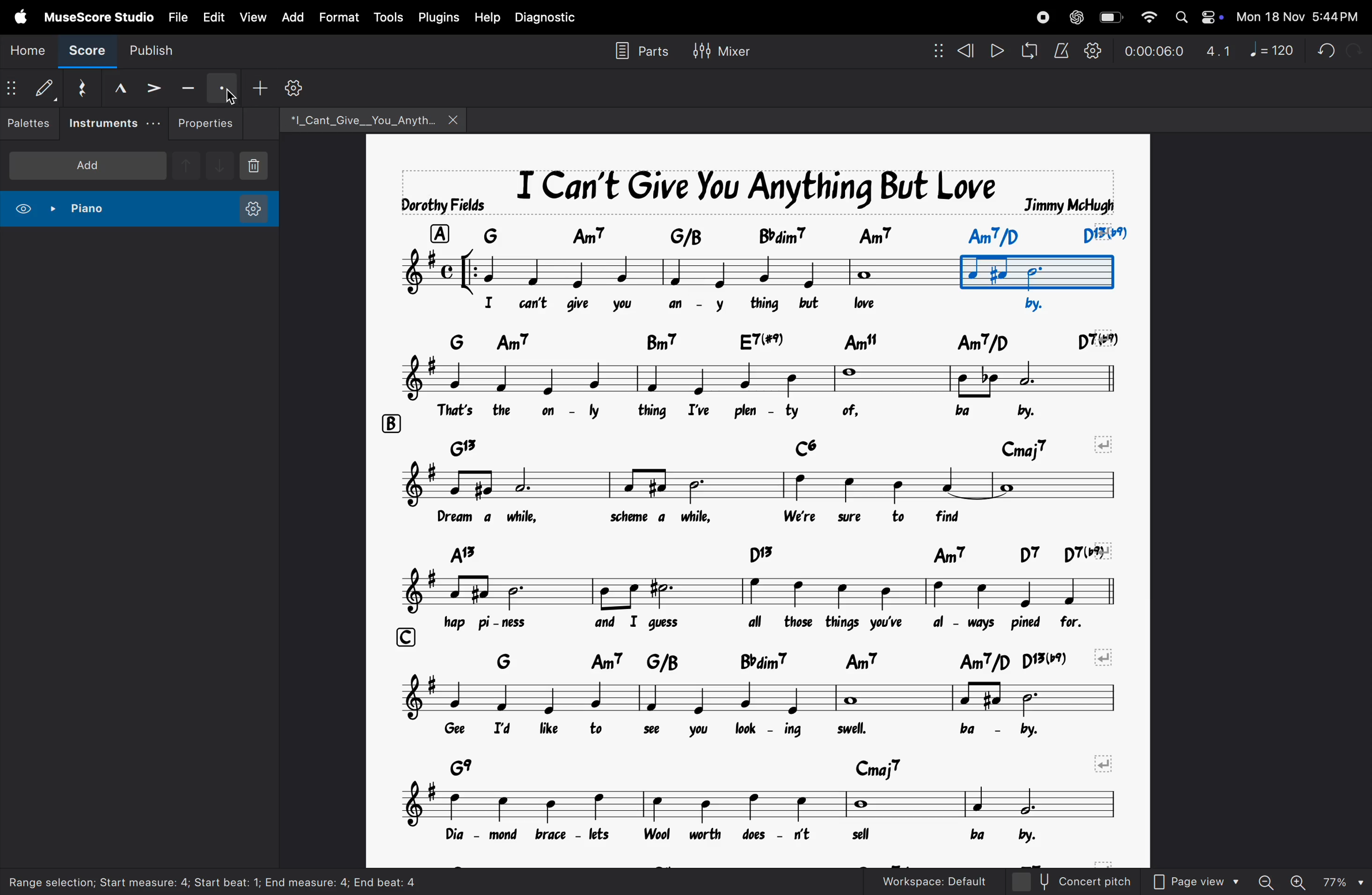 The height and width of the screenshot is (895, 1372). Describe the element at coordinates (724, 52) in the screenshot. I see `mixer` at that location.